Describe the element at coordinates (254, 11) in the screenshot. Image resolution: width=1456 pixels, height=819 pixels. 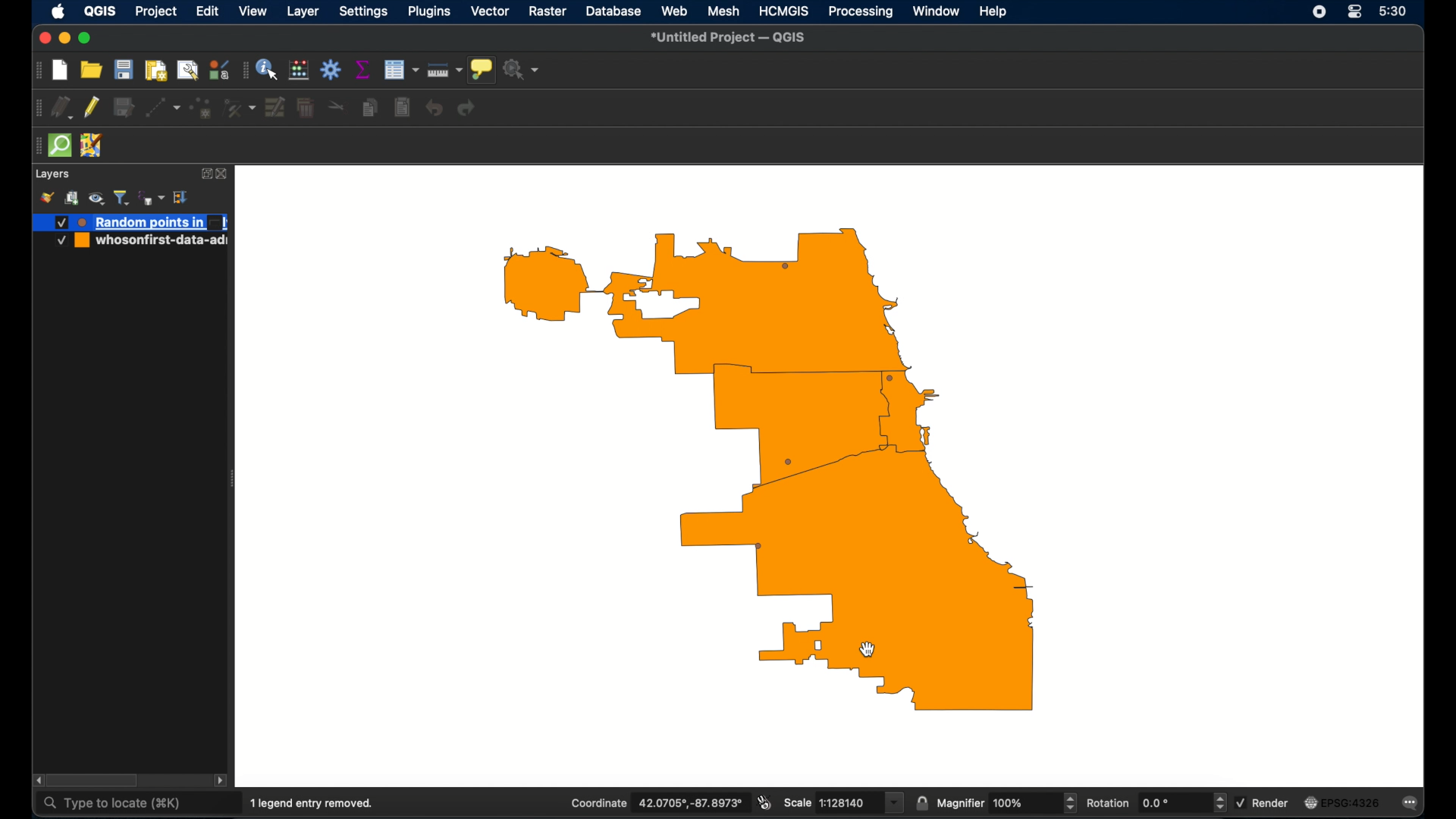
I see `view` at that location.